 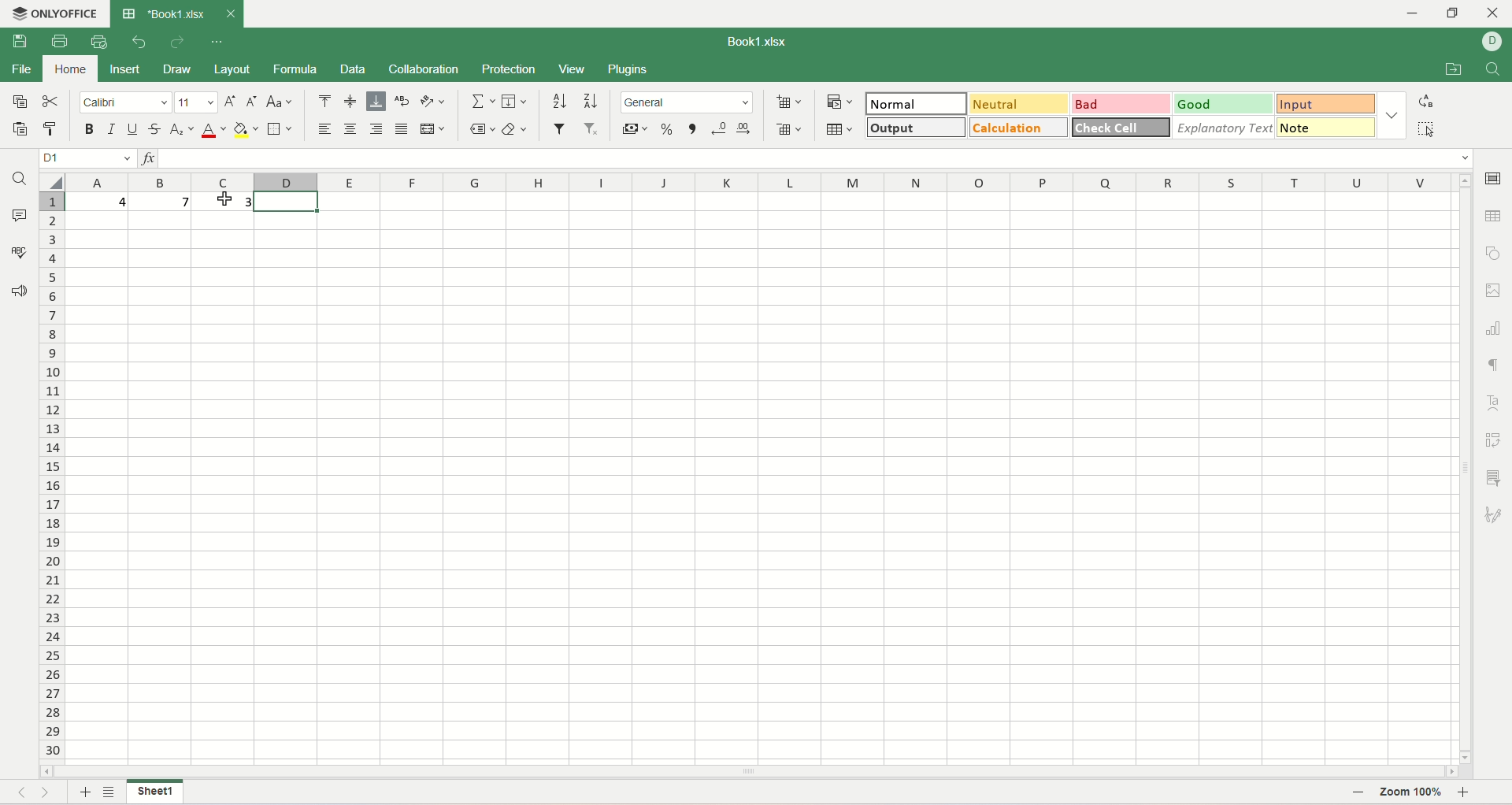 What do you see at coordinates (1499, 365) in the screenshot?
I see `paragraph settings` at bounding box center [1499, 365].